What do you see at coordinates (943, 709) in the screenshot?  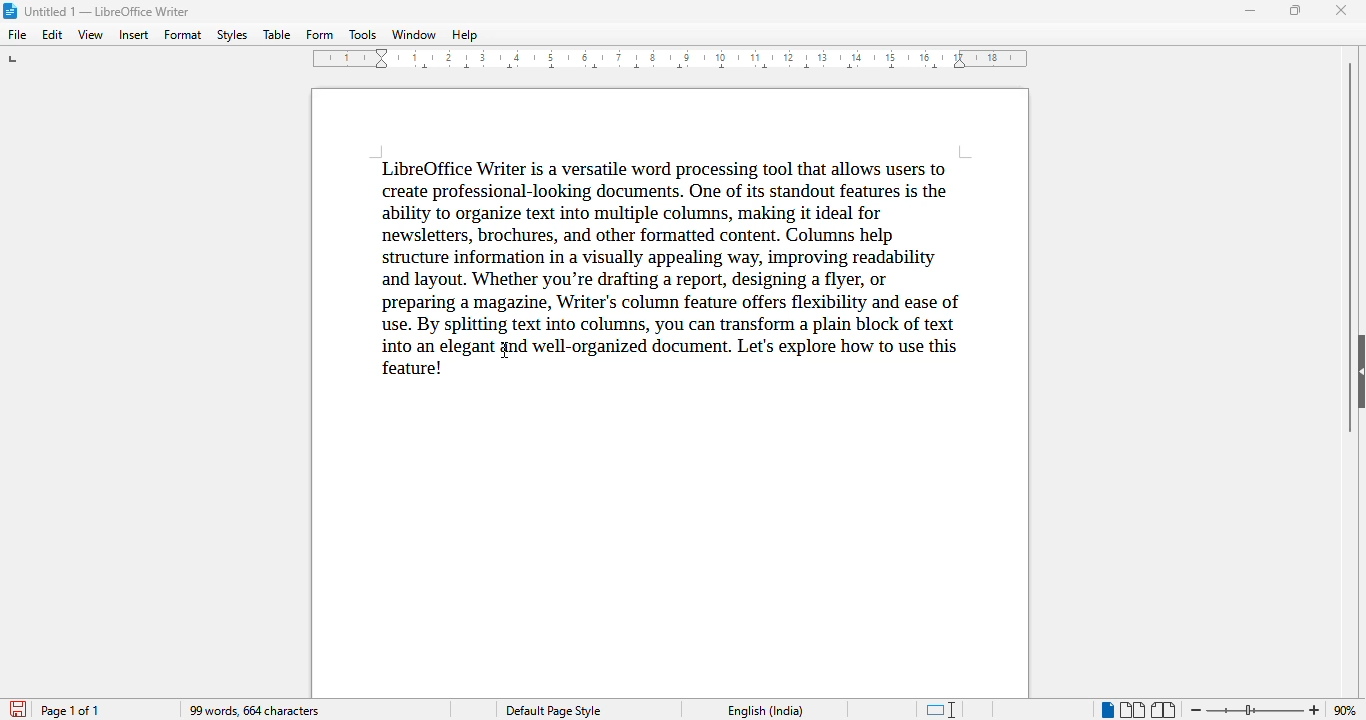 I see `standard selection` at bounding box center [943, 709].